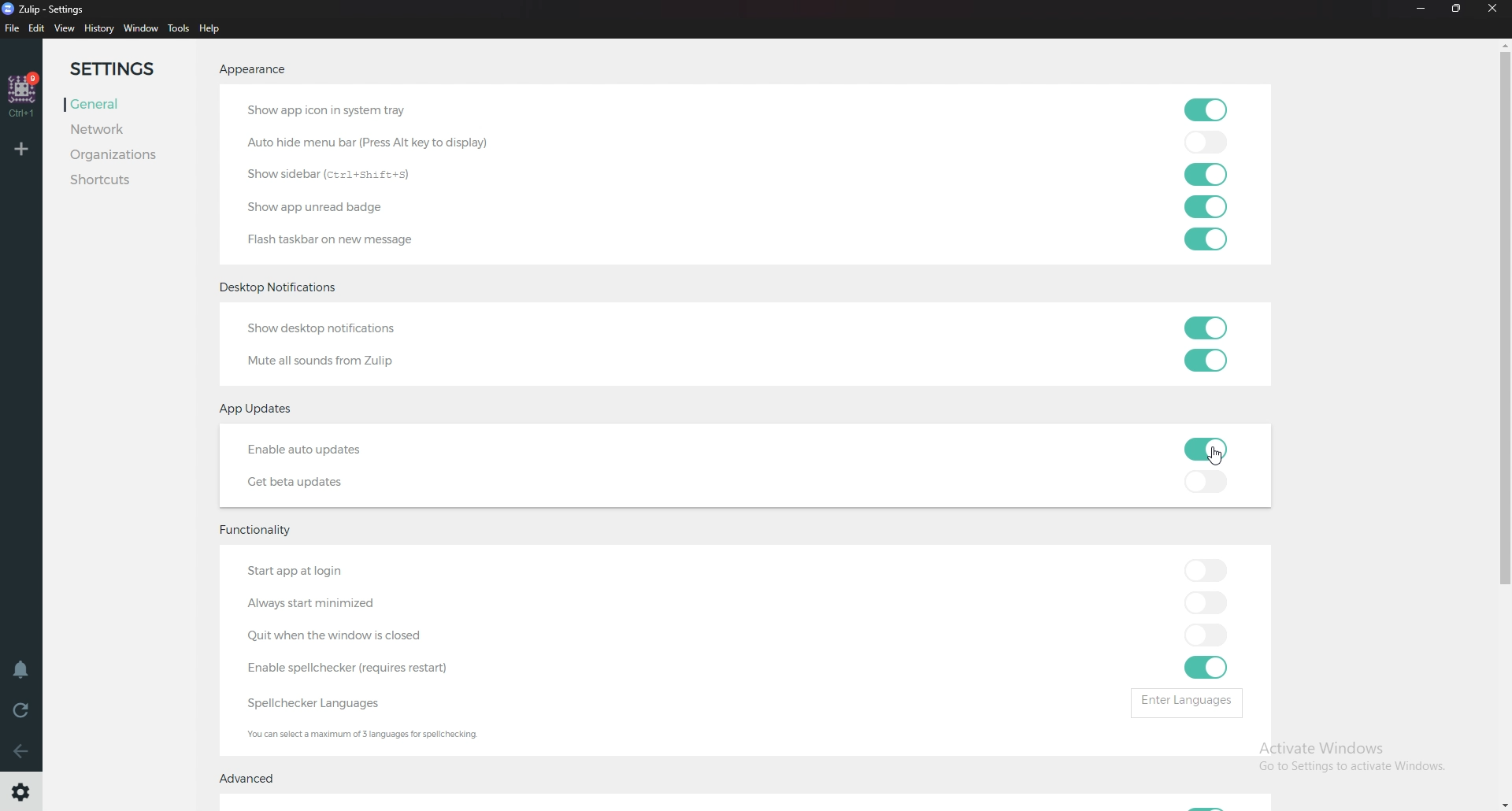 The height and width of the screenshot is (811, 1512). What do you see at coordinates (24, 148) in the screenshot?
I see `Add workspace` at bounding box center [24, 148].